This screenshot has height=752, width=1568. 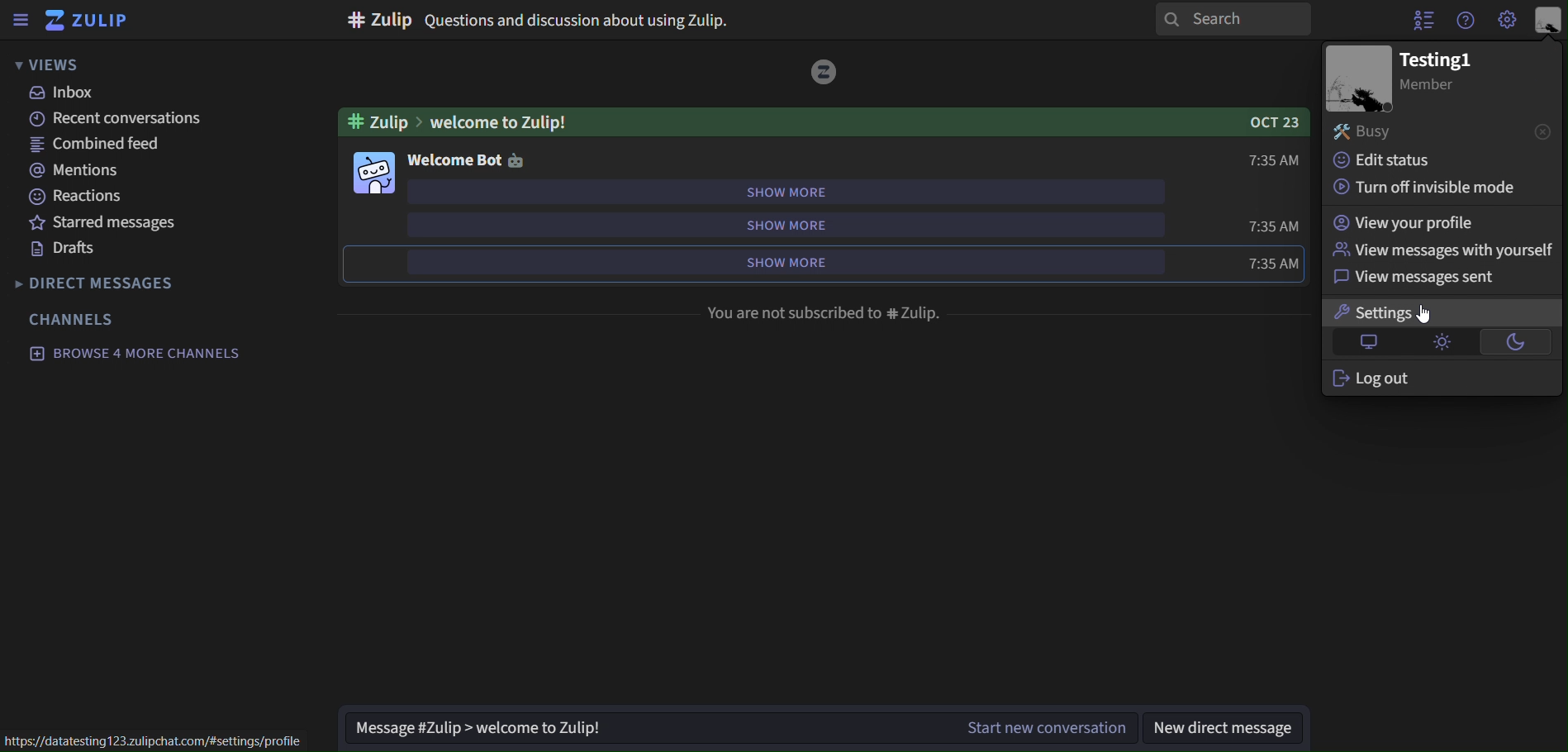 What do you see at coordinates (1388, 159) in the screenshot?
I see `edit status` at bounding box center [1388, 159].